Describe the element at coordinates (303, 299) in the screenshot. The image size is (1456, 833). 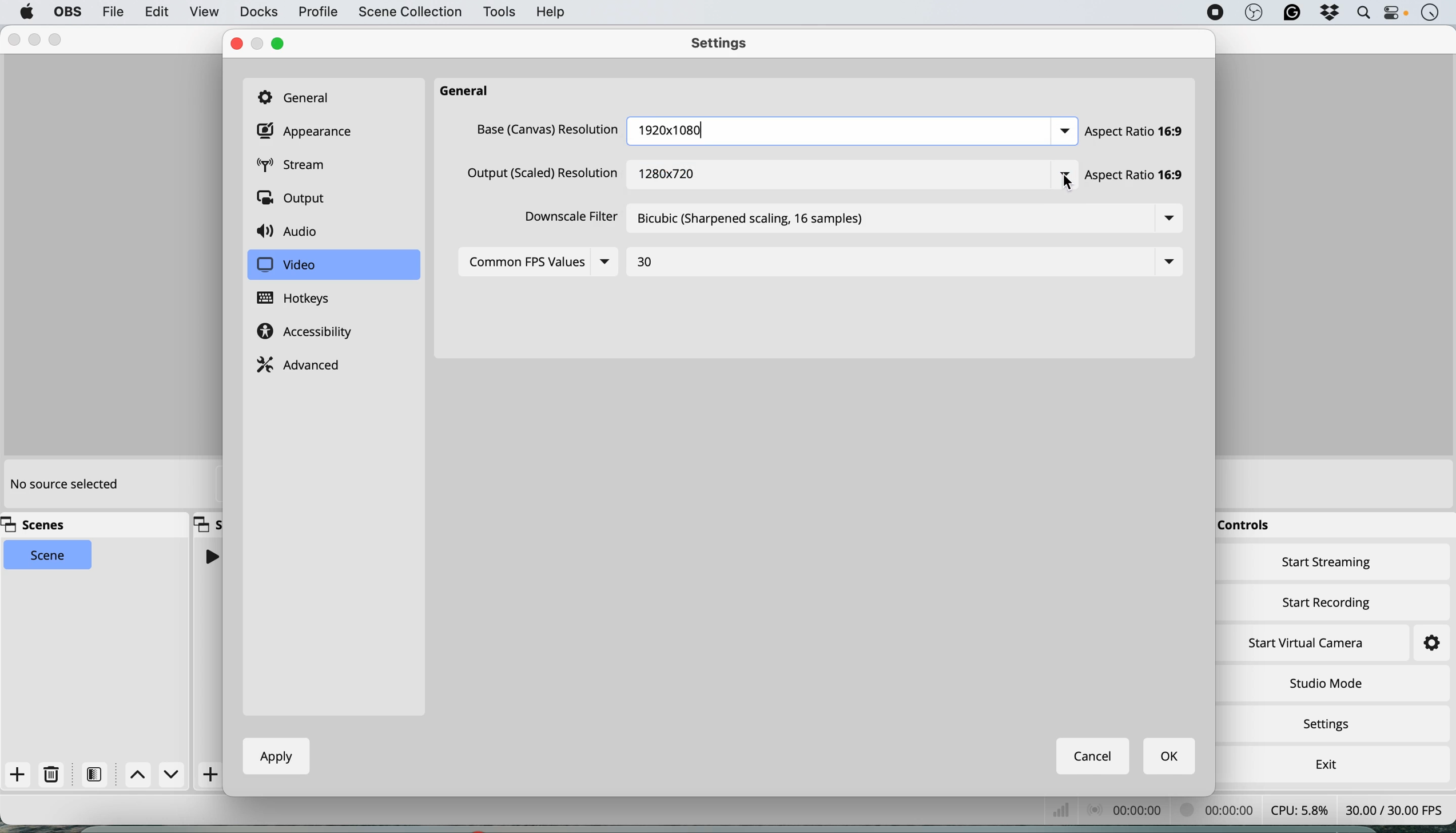
I see `hotkeys` at that location.